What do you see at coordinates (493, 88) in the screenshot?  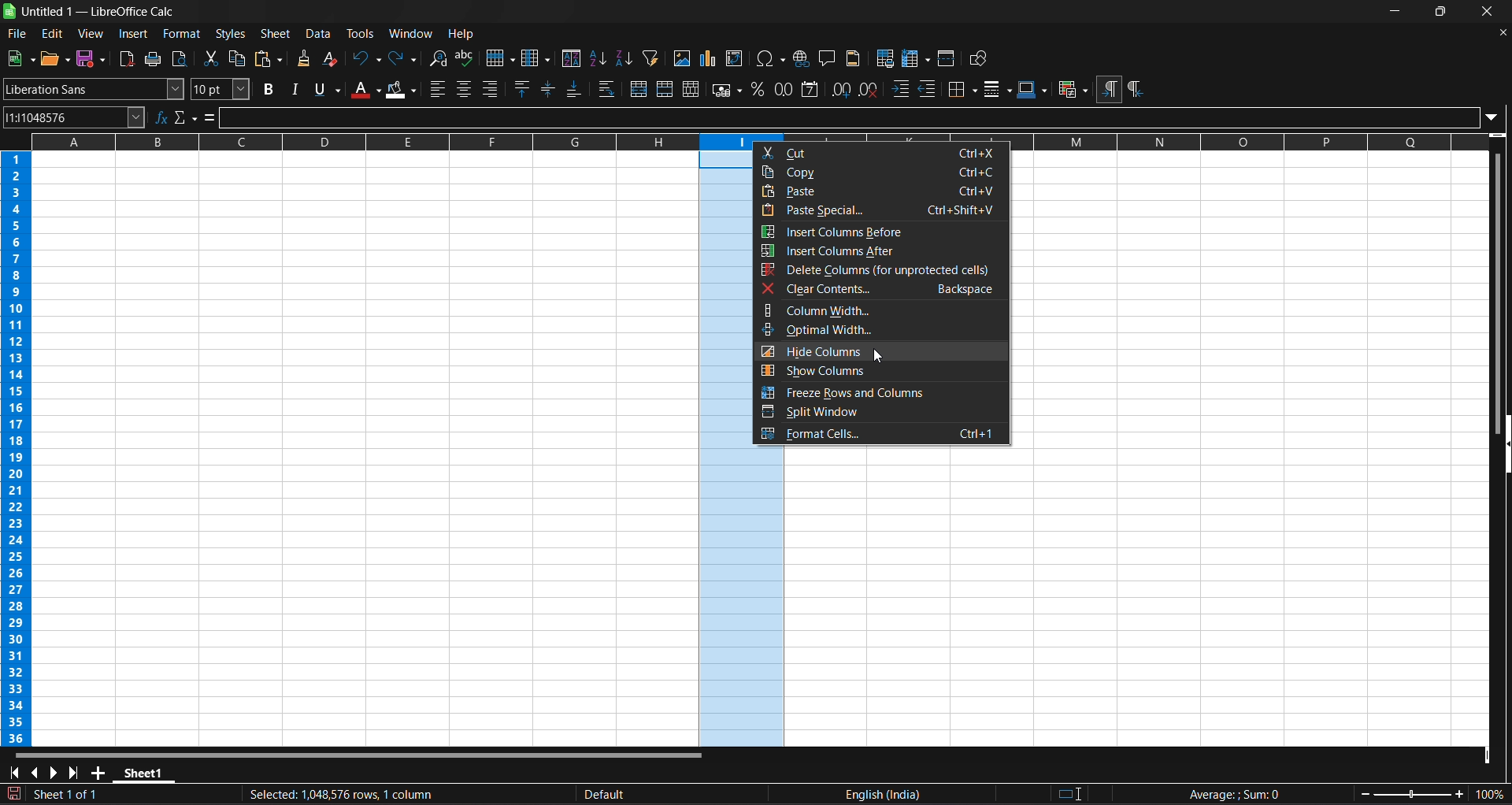 I see `align right` at bounding box center [493, 88].